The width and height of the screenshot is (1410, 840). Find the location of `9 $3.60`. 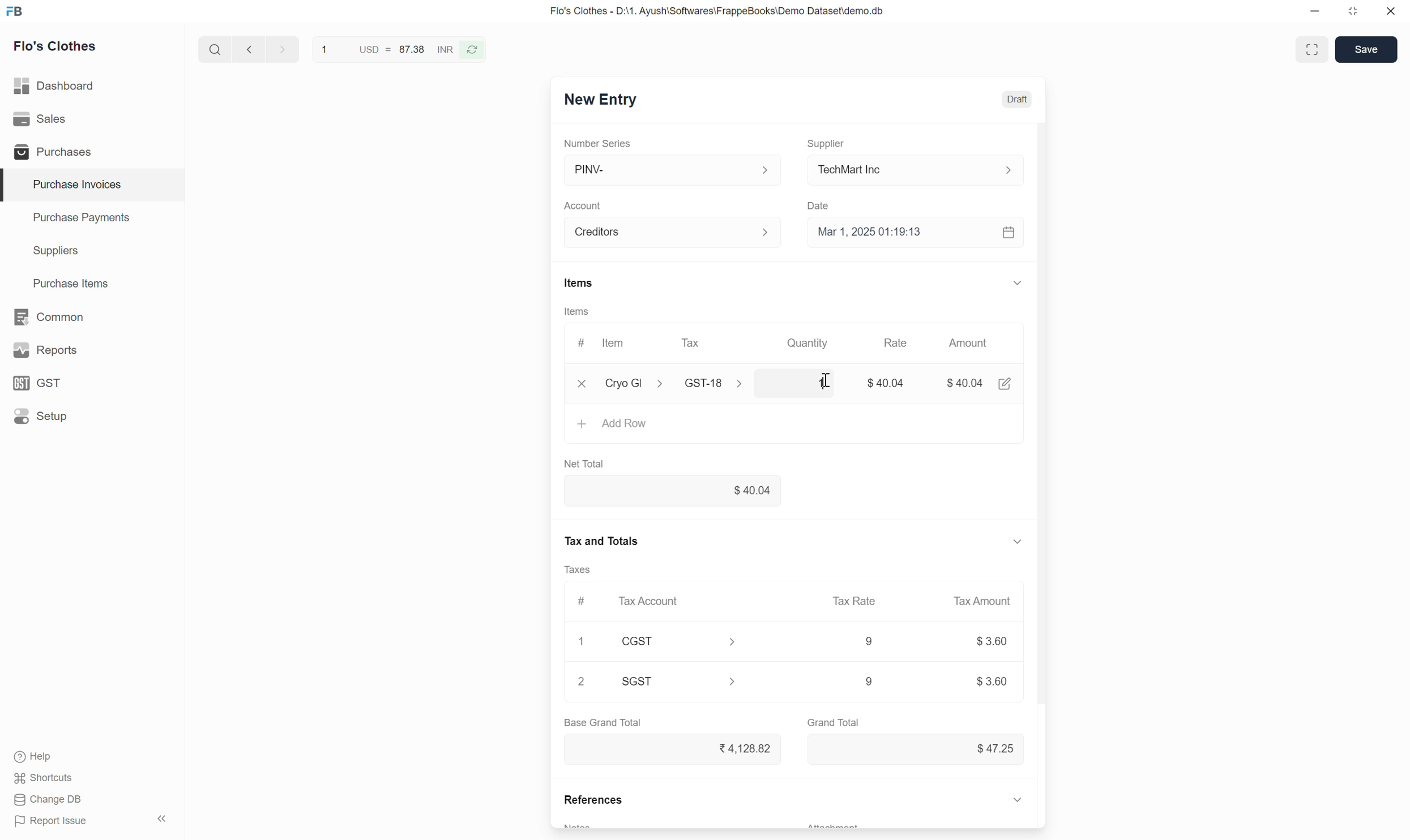

9 $3.60 is located at coordinates (989, 681).